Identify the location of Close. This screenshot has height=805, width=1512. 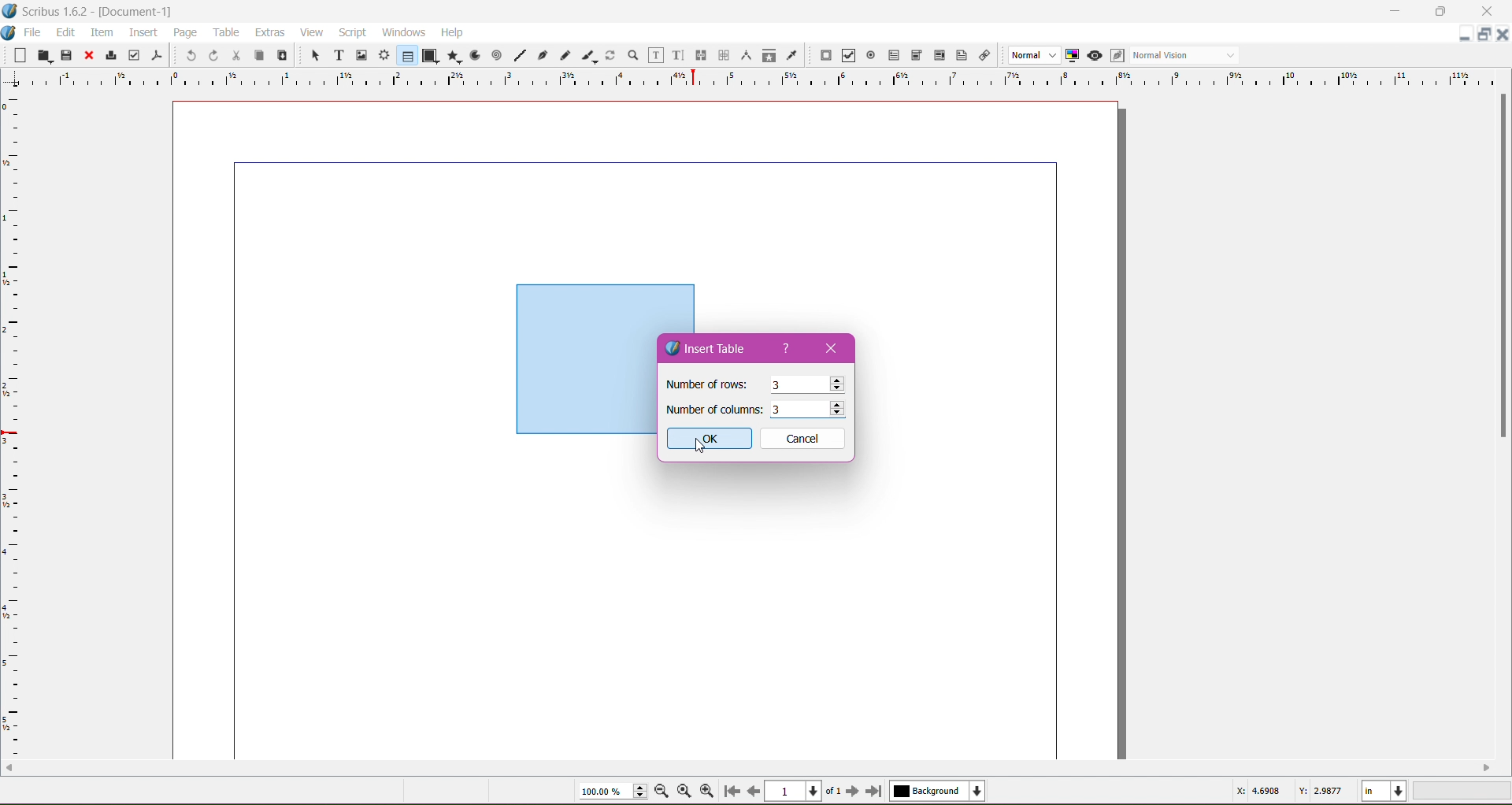
(1488, 12).